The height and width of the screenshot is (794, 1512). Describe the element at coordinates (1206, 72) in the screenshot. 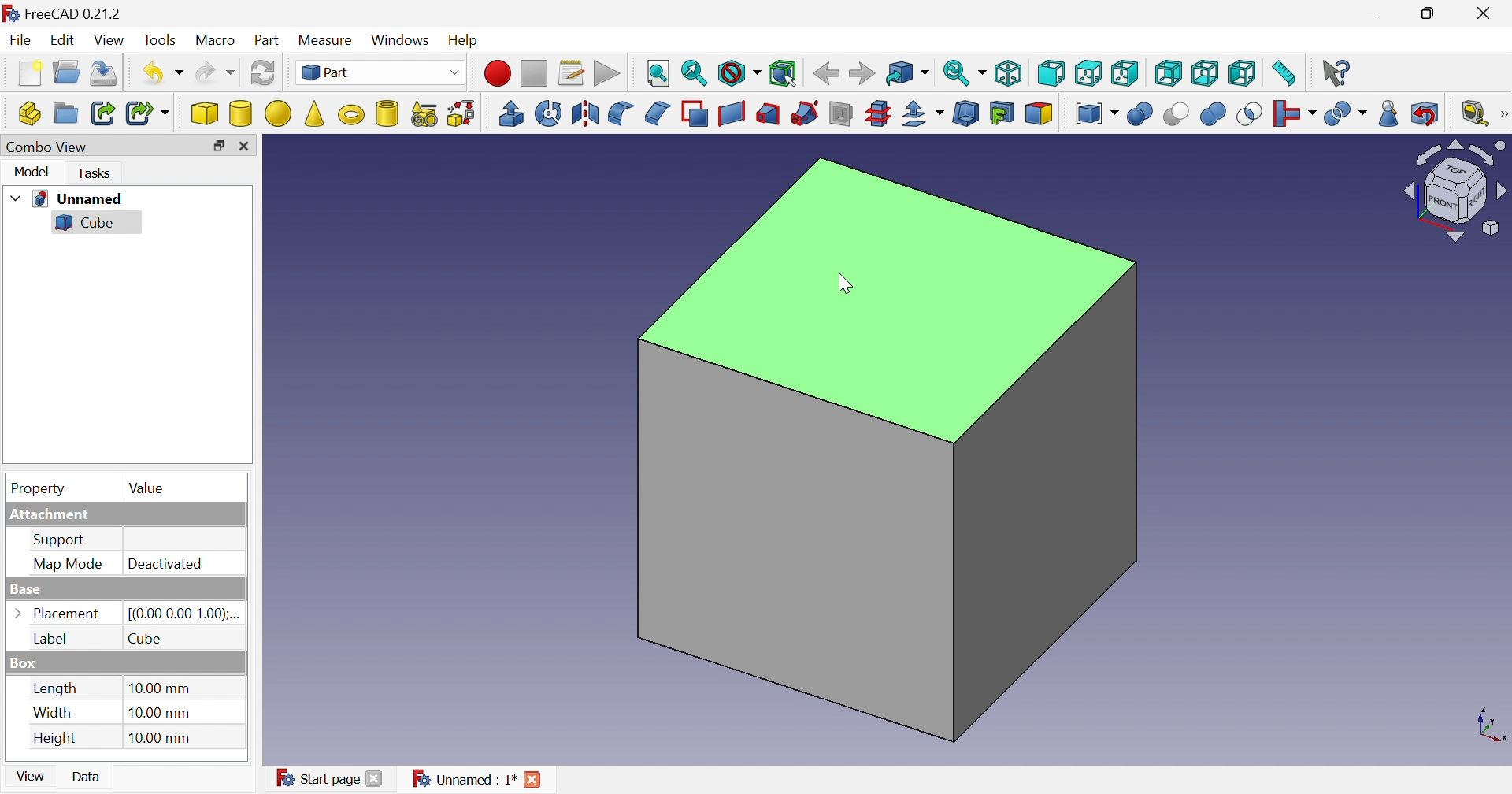

I see `Bottom` at that location.